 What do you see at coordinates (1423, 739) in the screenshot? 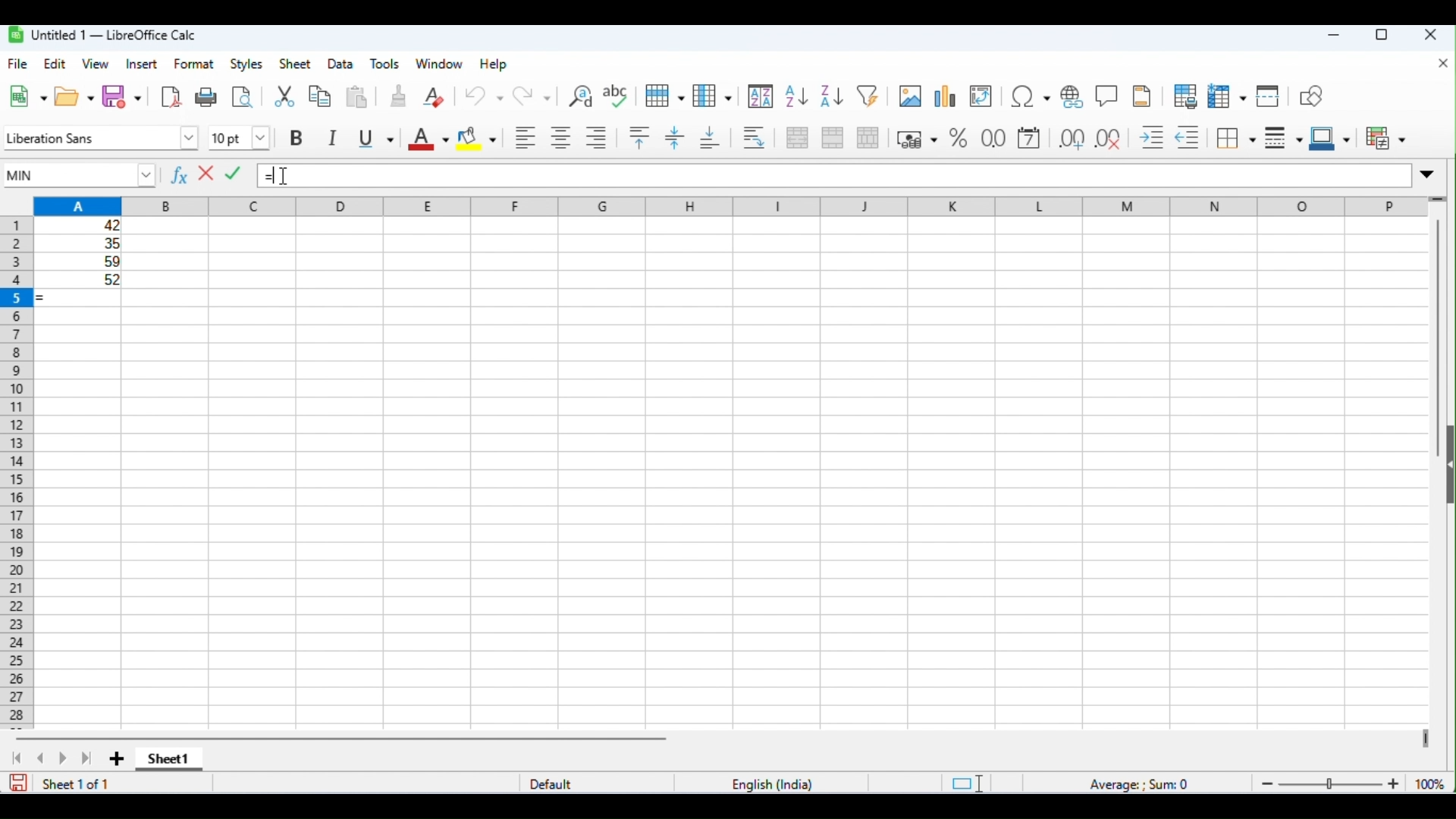
I see `drag to view next columns` at bounding box center [1423, 739].